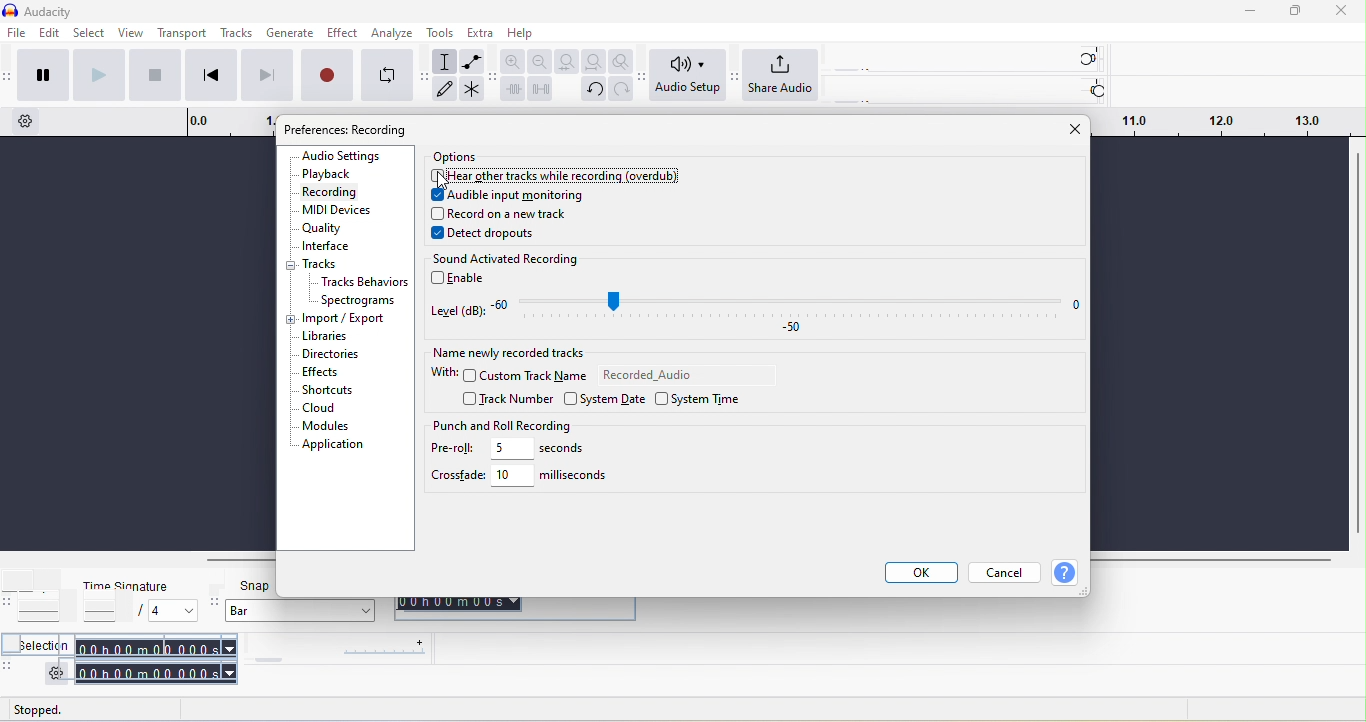 This screenshot has width=1366, height=722. What do you see at coordinates (216, 598) in the screenshot?
I see `audacity snapping toolbar` at bounding box center [216, 598].